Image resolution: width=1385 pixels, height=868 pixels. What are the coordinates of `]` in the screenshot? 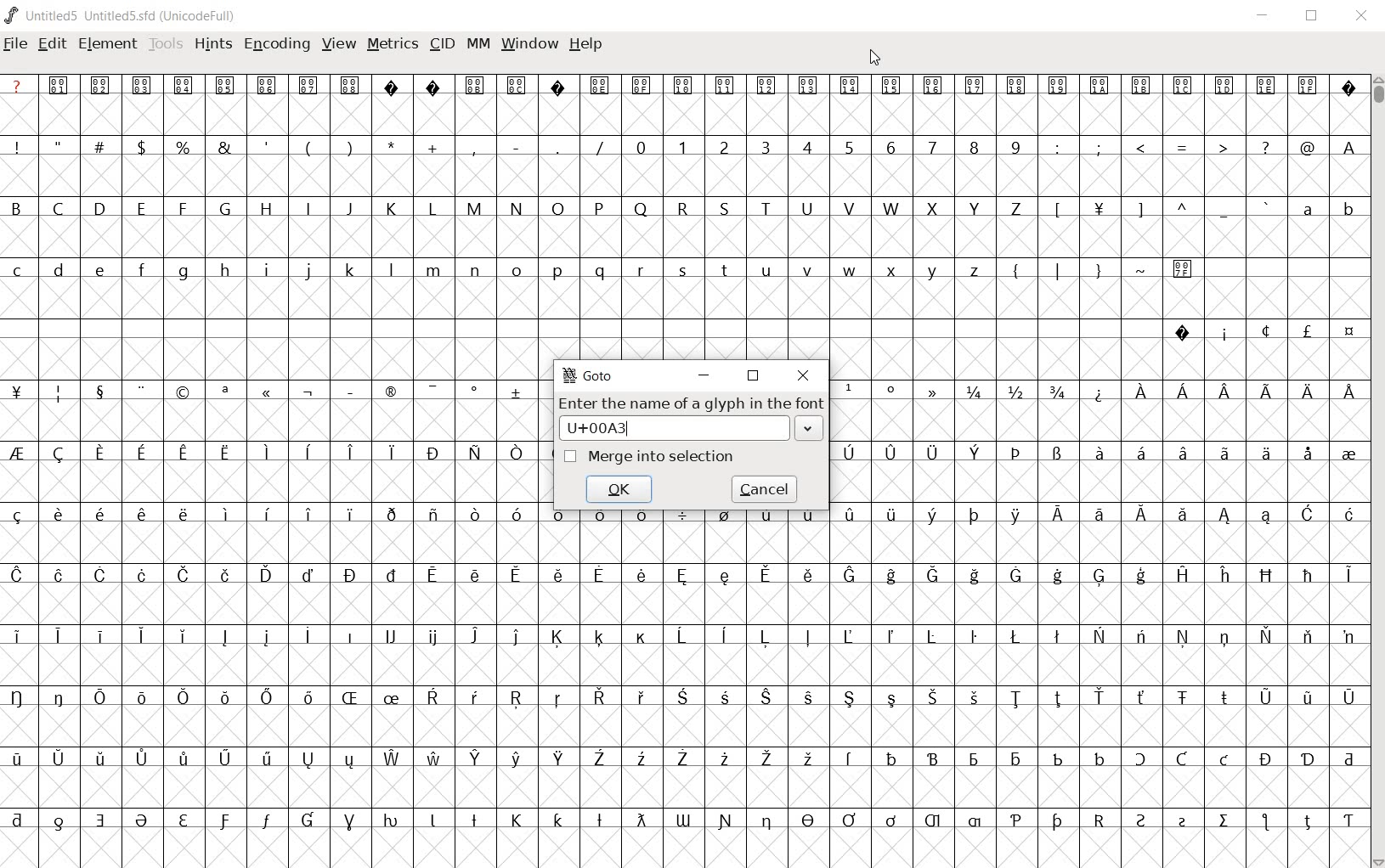 It's located at (1141, 208).